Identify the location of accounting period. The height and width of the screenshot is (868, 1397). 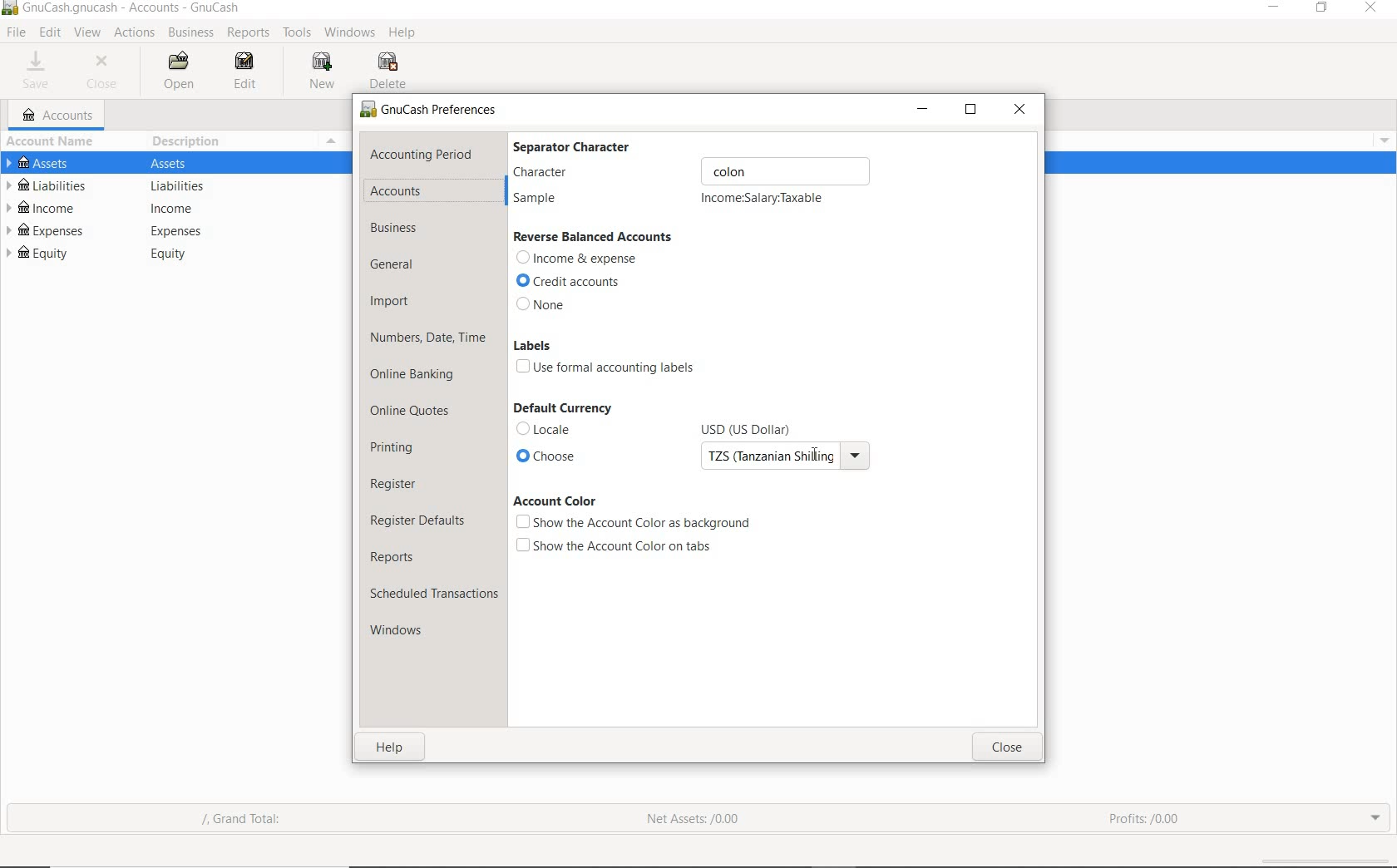
(422, 154).